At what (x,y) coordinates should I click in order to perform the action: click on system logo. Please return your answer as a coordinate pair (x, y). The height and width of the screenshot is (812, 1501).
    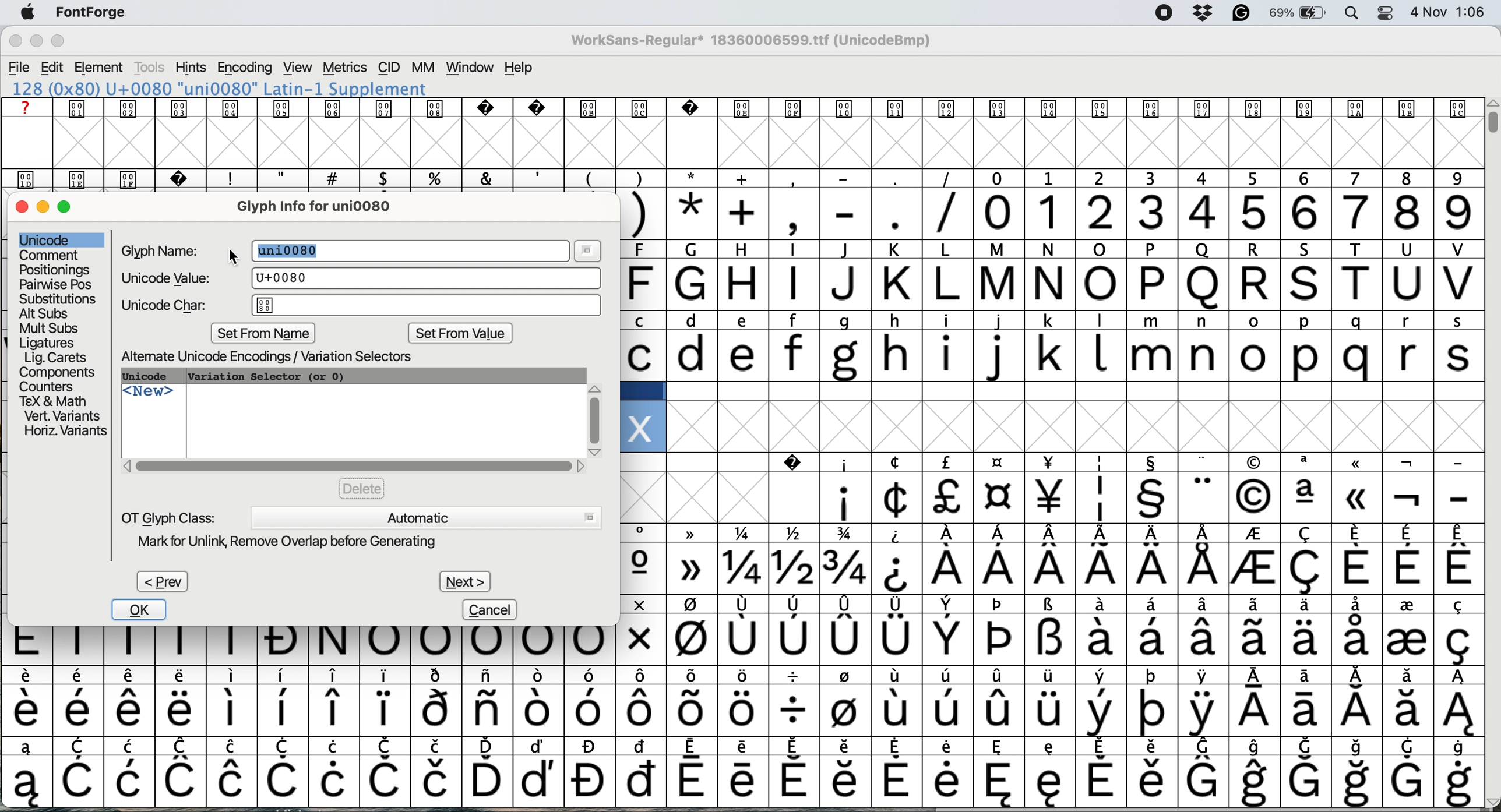
    Looking at the image, I should click on (33, 13).